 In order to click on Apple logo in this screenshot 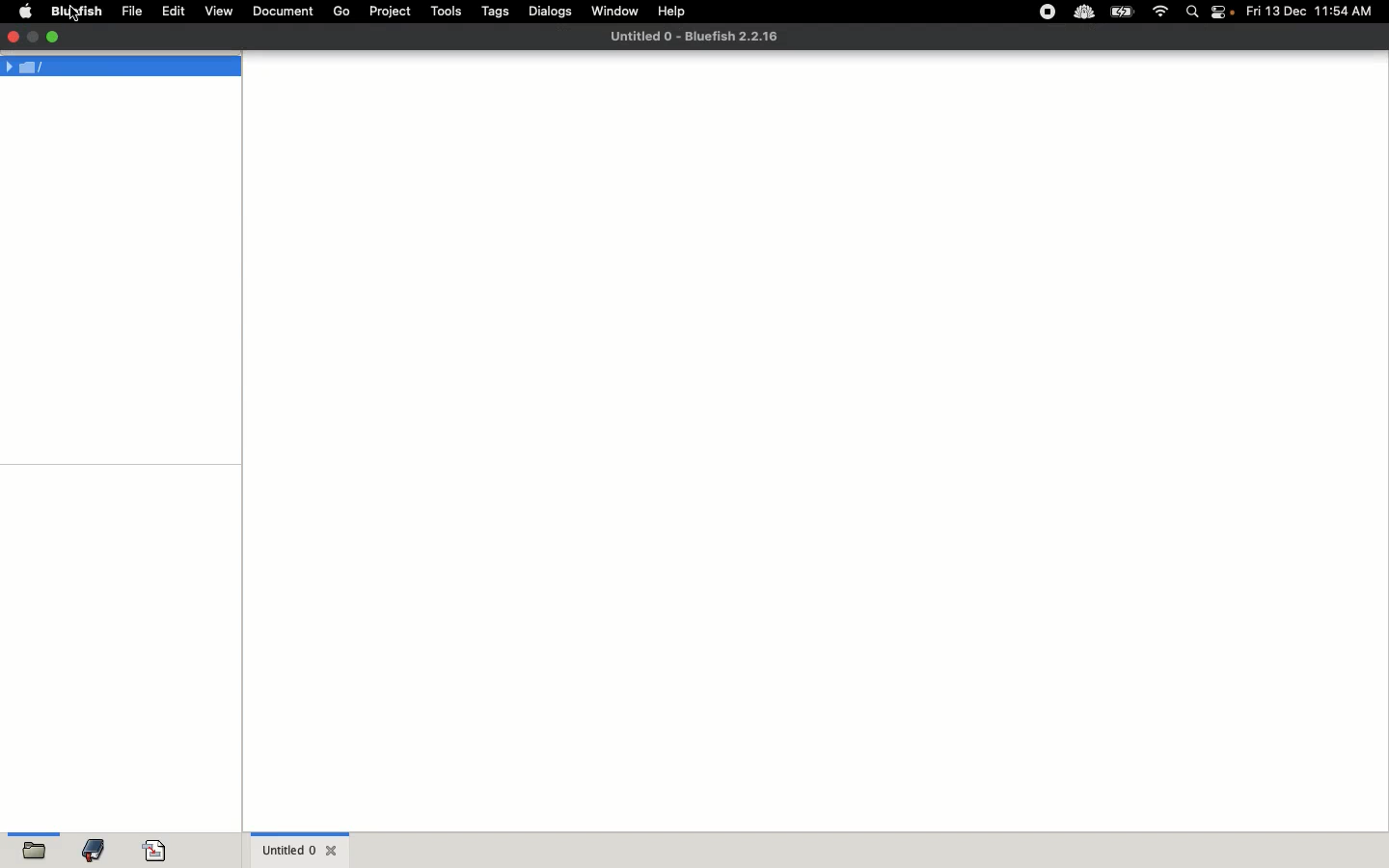, I will do `click(25, 11)`.